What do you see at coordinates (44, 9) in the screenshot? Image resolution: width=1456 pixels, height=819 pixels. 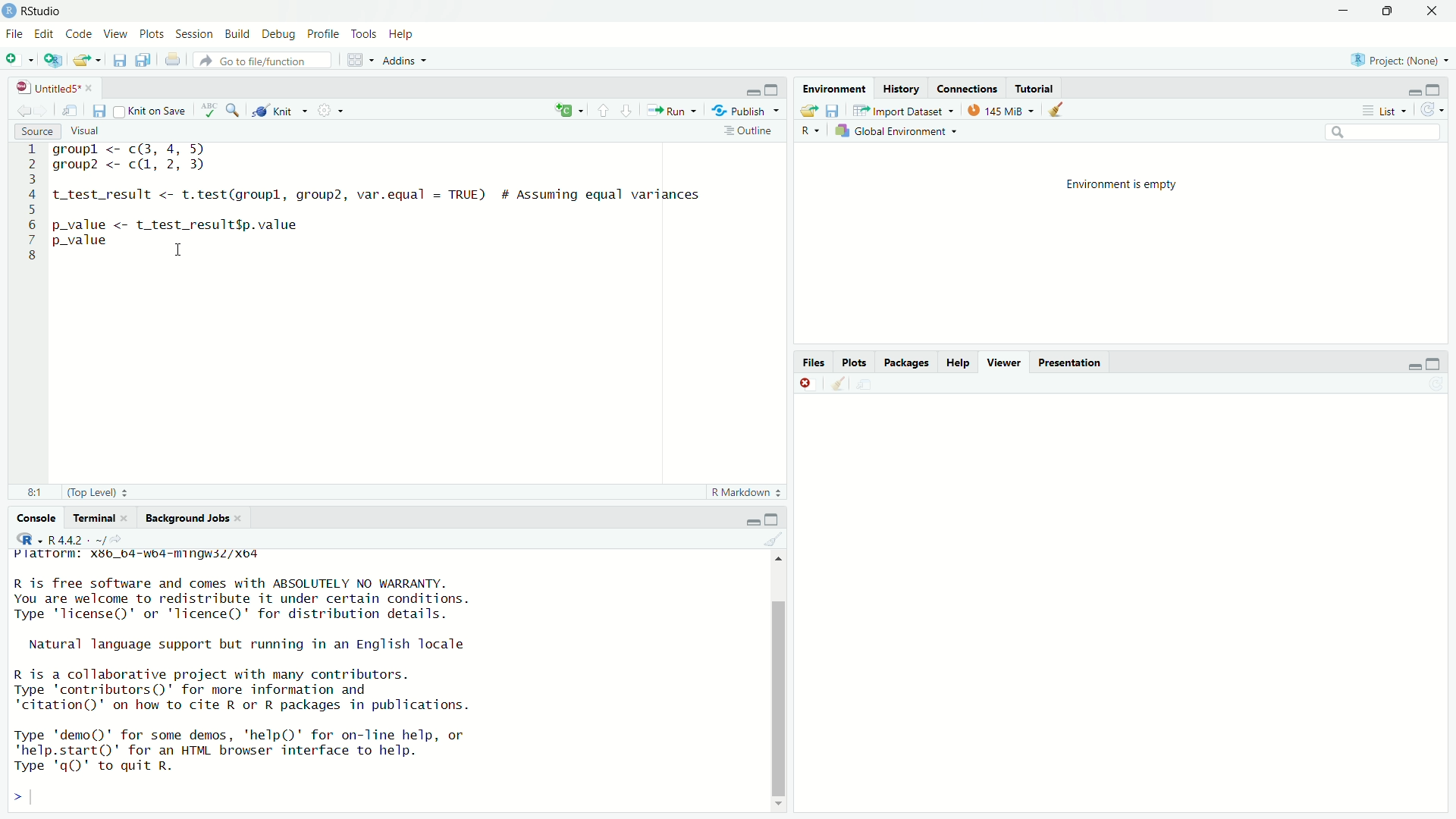 I see `Rstudio` at bounding box center [44, 9].